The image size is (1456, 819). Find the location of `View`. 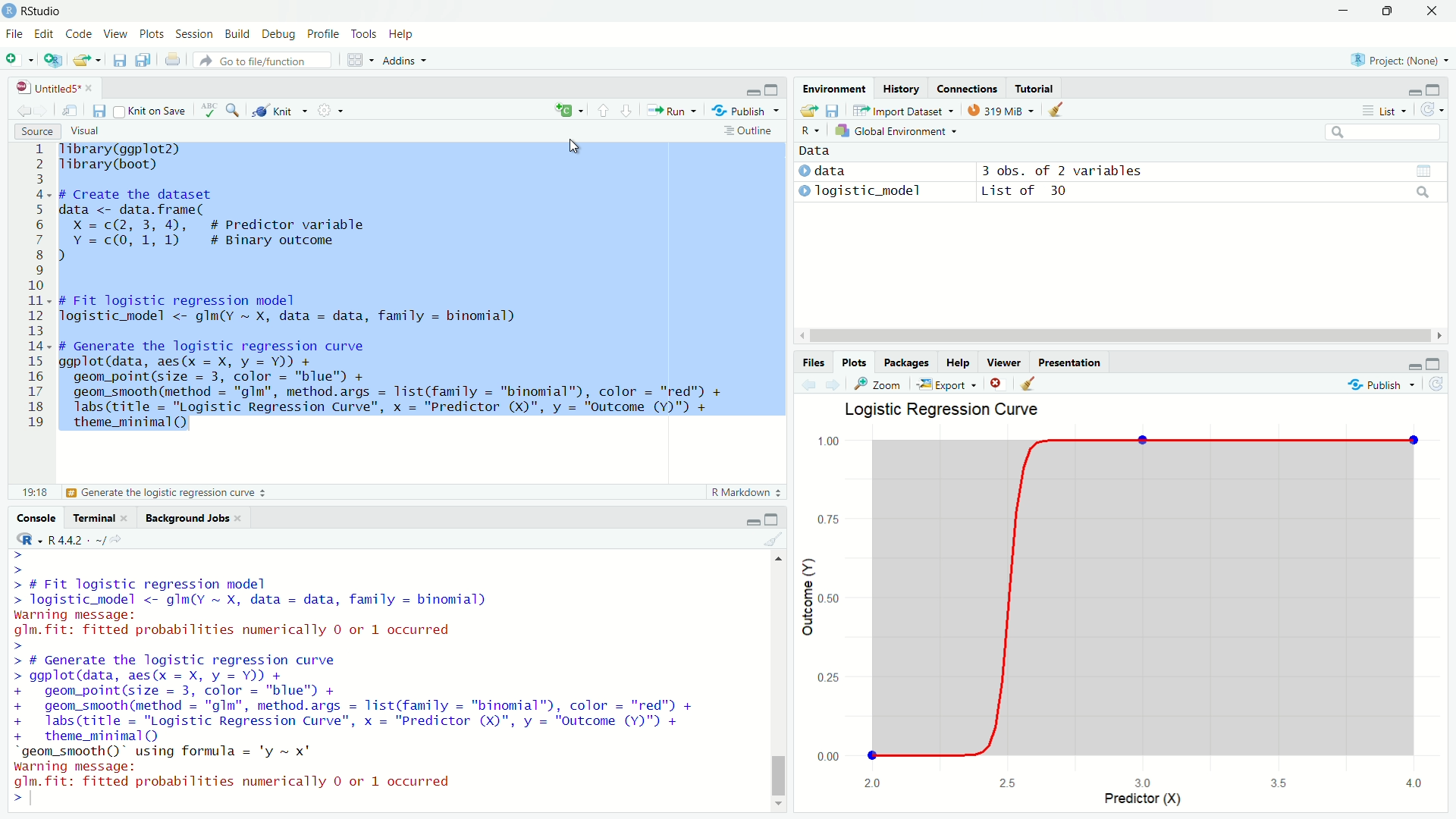

View is located at coordinates (115, 33).